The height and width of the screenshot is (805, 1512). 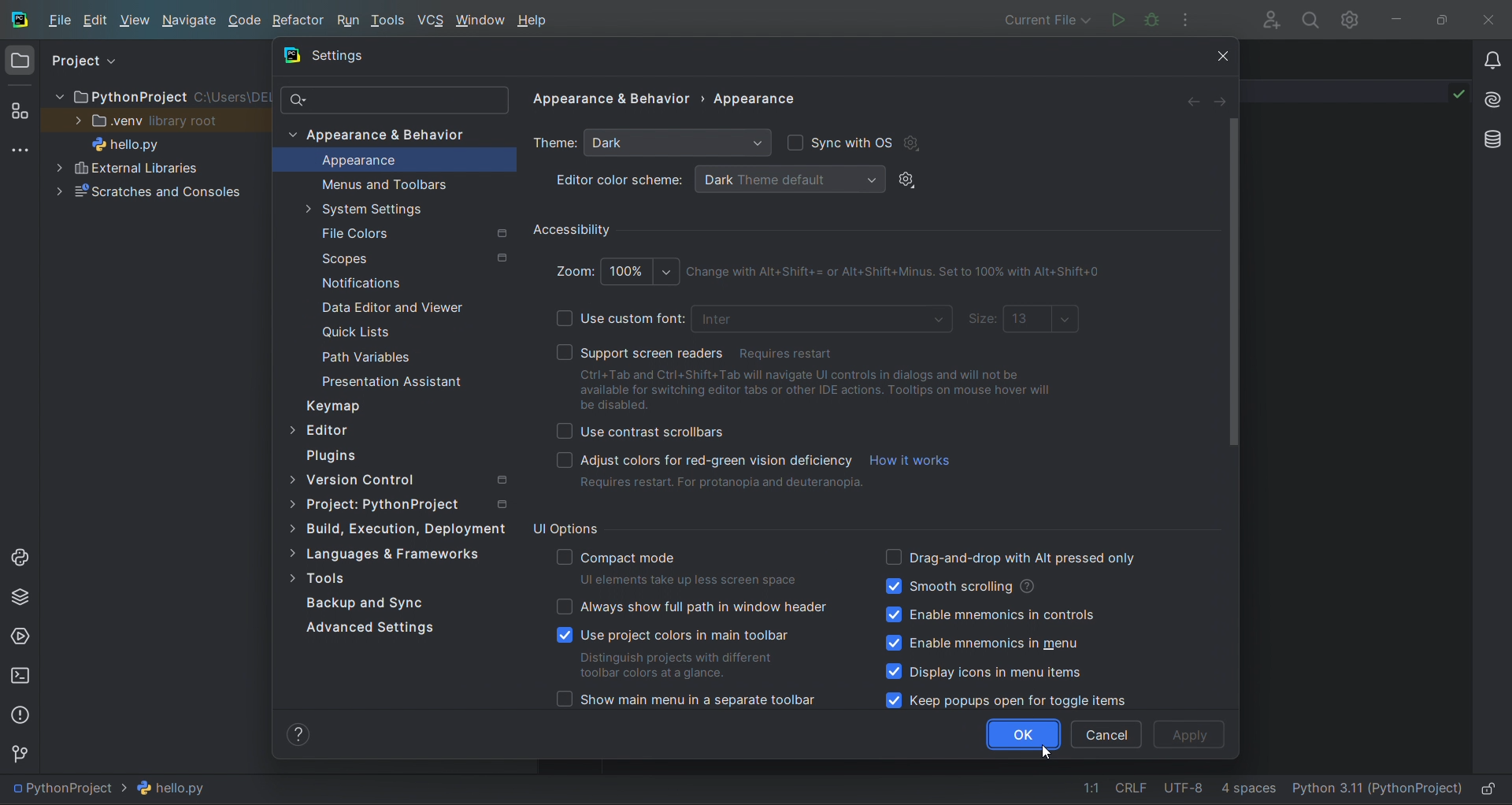 What do you see at coordinates (790, 180) in the screenshot?
I see `dropdown` at bounding box center [790, 180].